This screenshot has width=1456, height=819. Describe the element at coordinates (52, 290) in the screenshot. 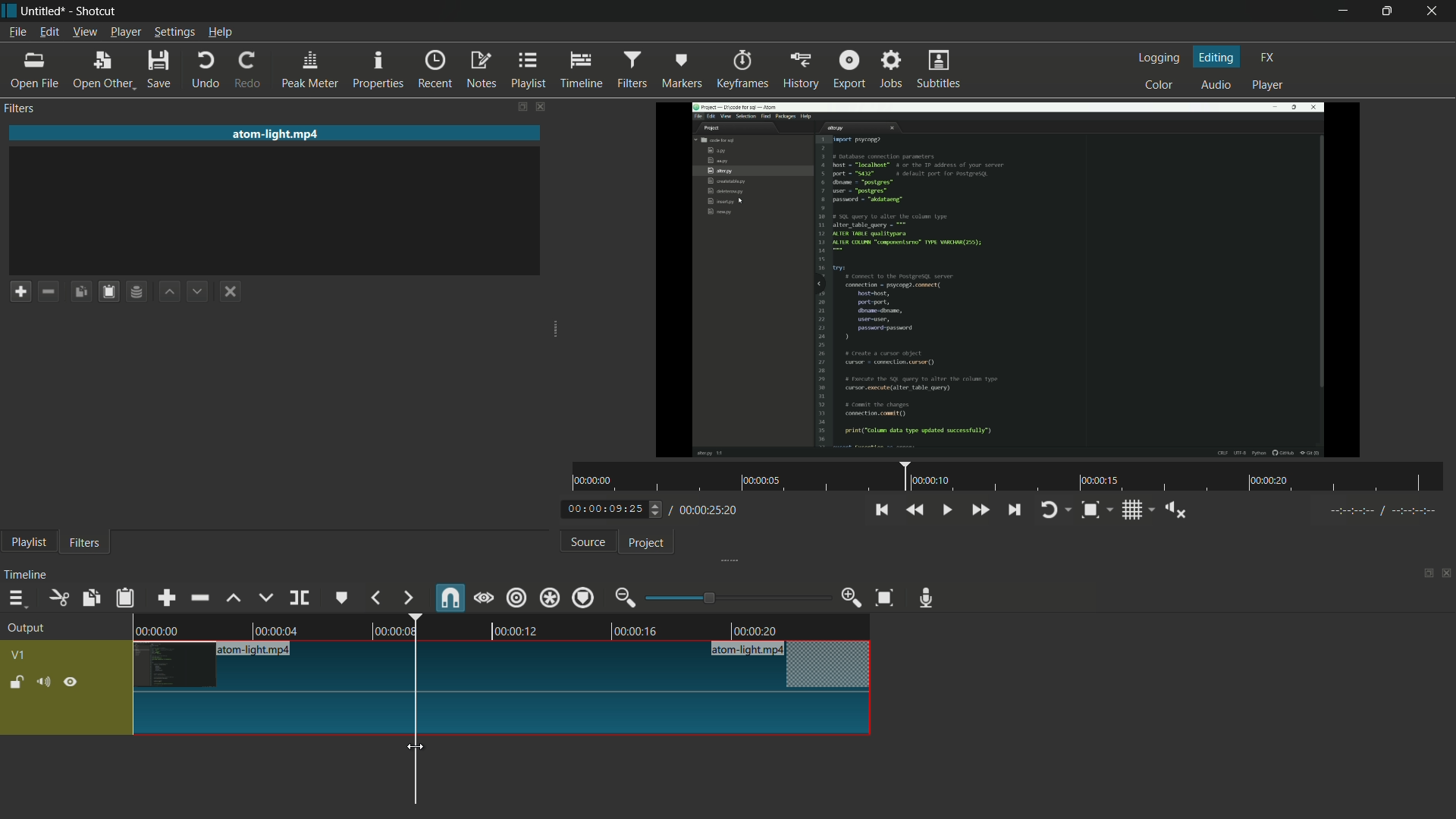

I see `remove a filter` at that location.